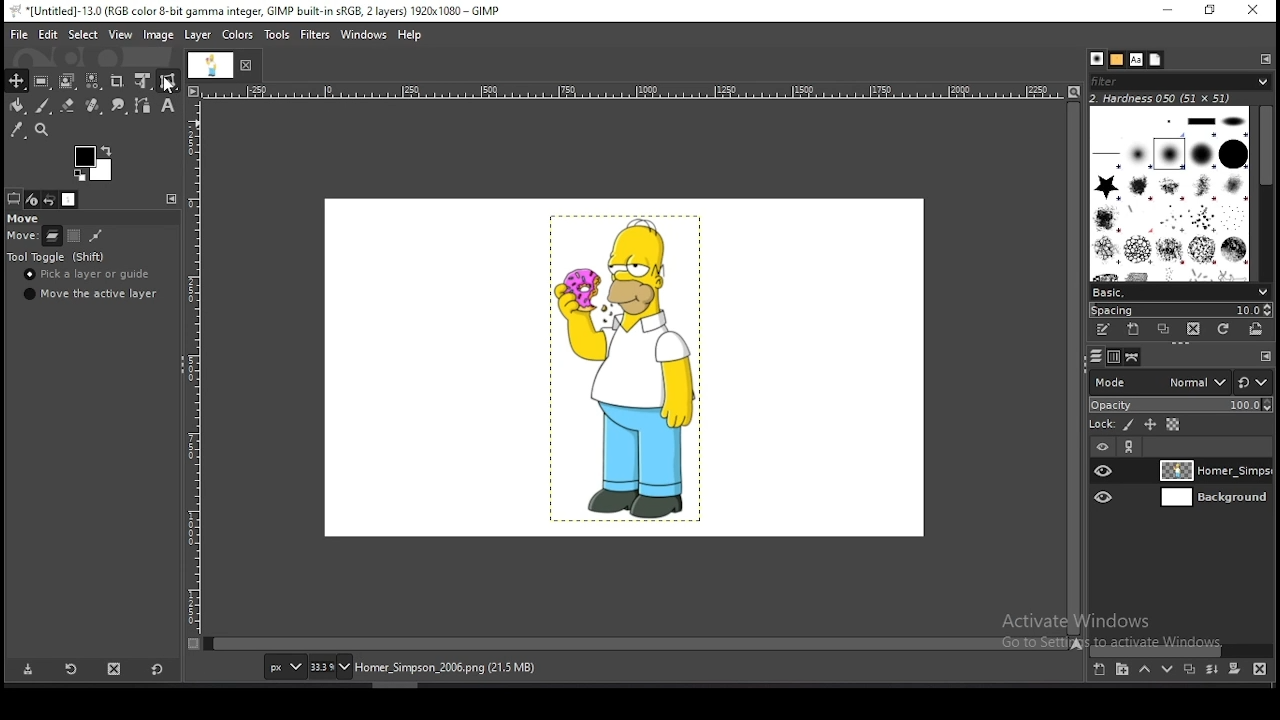 Image resolution: width=1280 pixels, height=720 pixels. Describe the element at coordinates (1136, 331) in the screenshot. I see `create a new brush` at that location.